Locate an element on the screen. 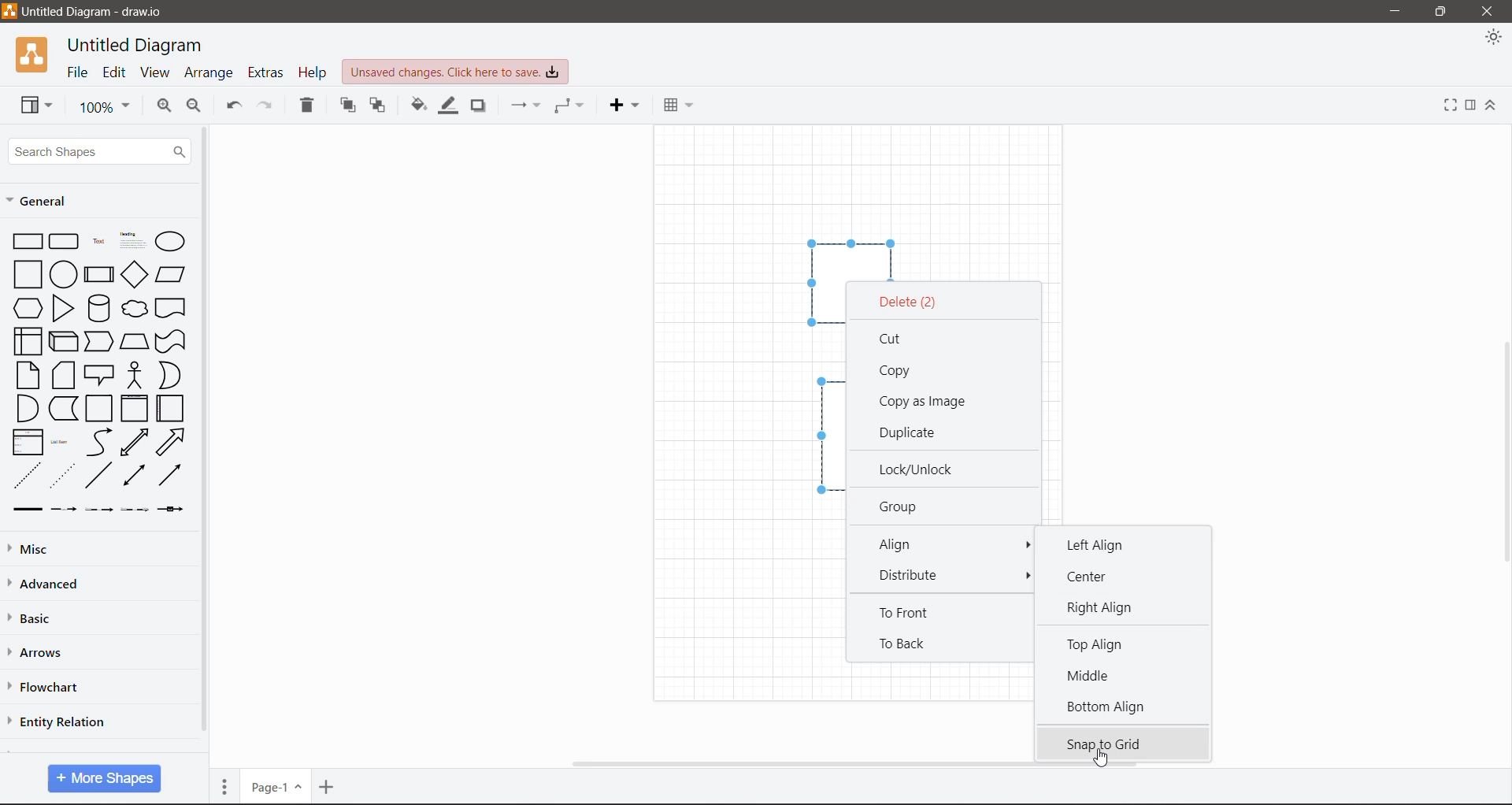 This screenshot has height=805, width=1512. Distribute is located at coordinates (920, 576).